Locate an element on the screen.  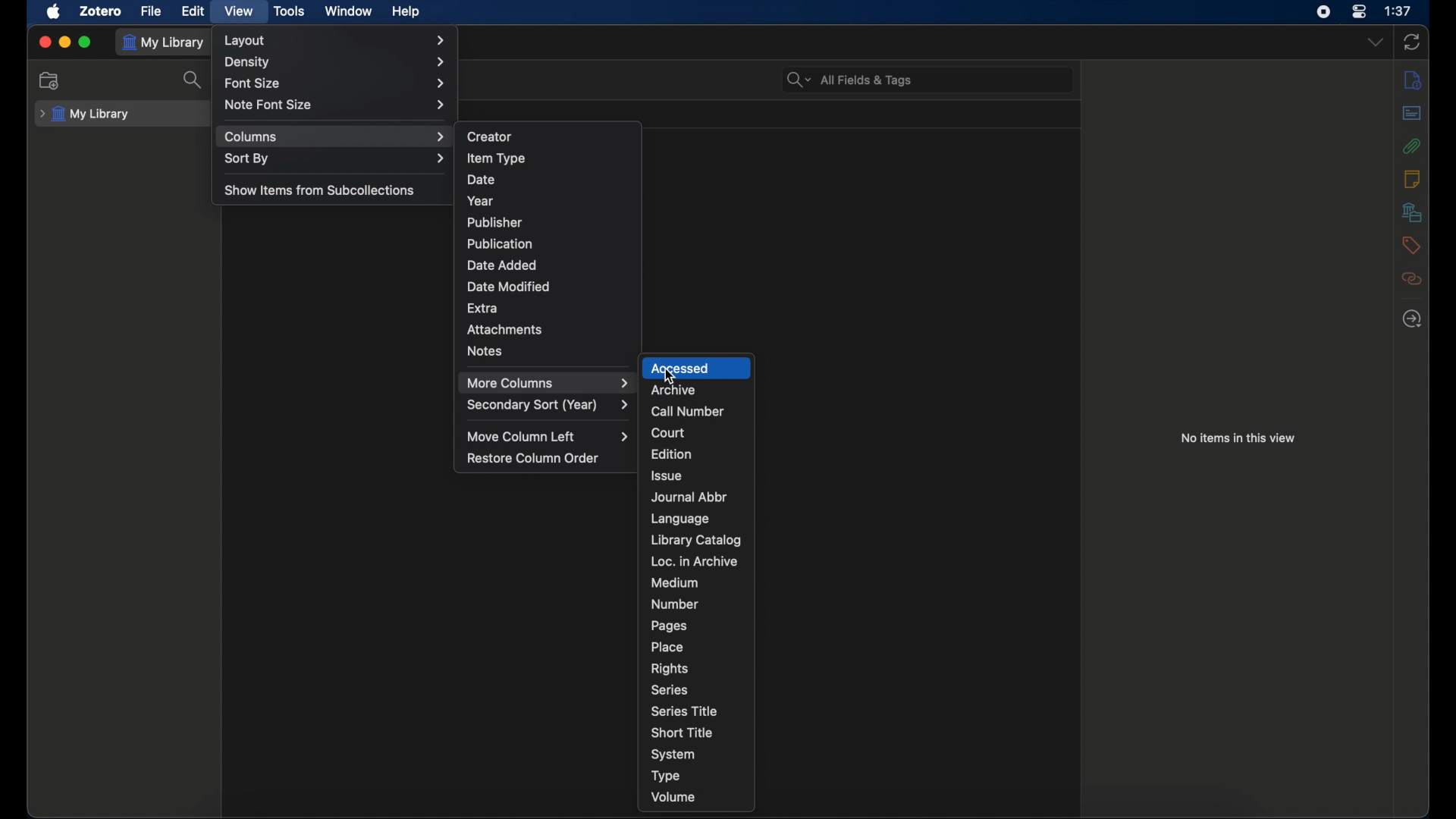
place is located at coordinates (666, 646).